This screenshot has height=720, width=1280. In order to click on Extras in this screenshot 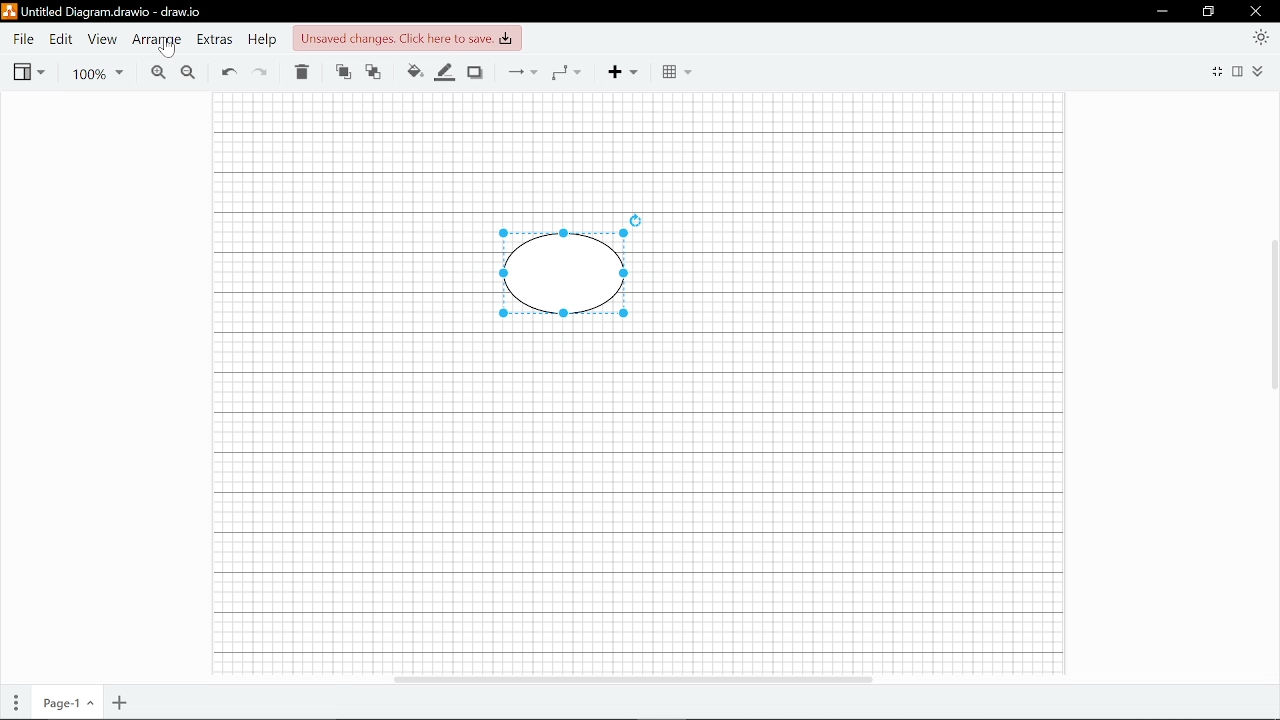, I will do `click(216, 41)`.